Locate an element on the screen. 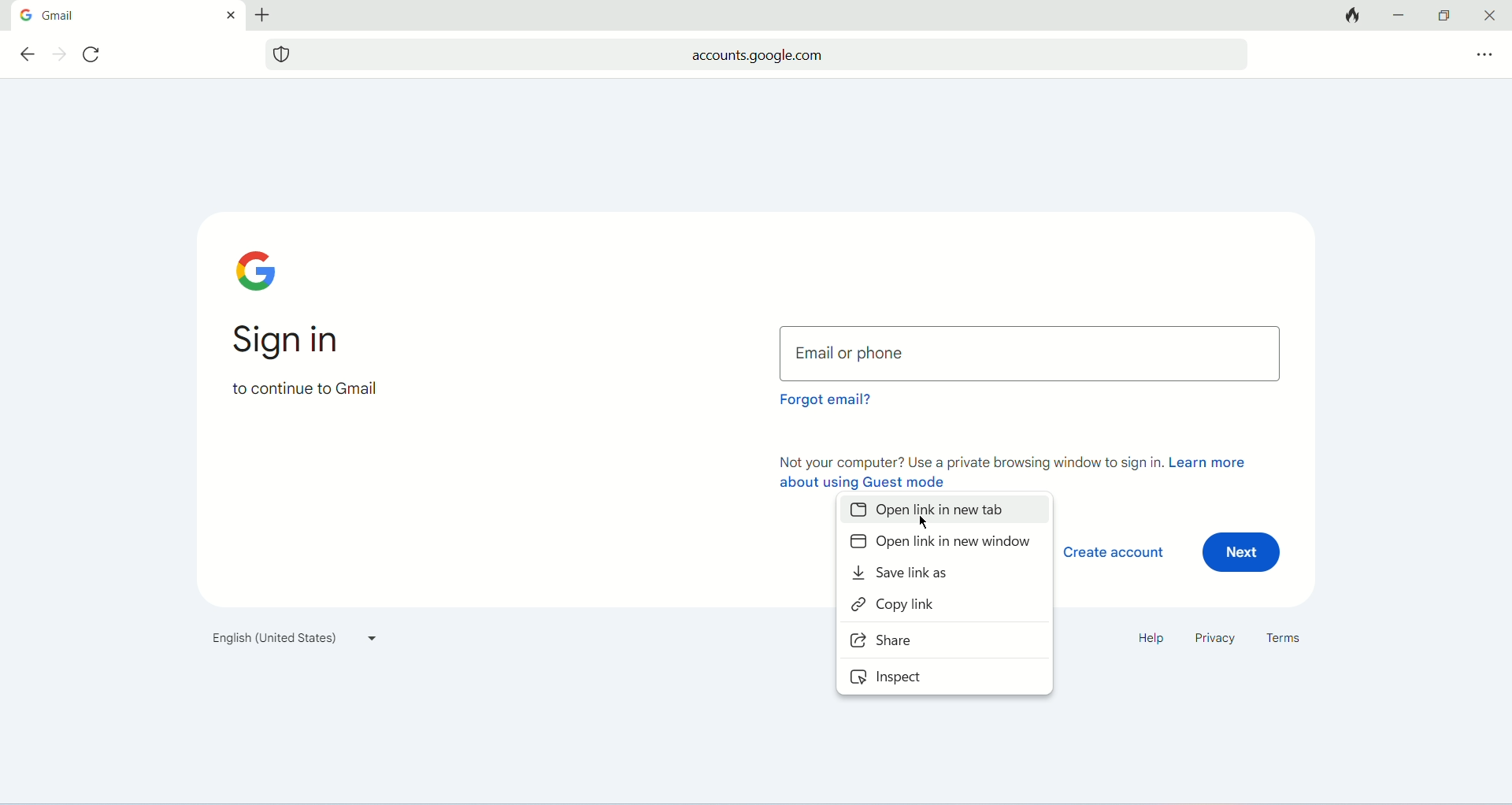 Image resolution: width=1512 pixels, height=805 pixels. close is located at coordinates (230, 14).